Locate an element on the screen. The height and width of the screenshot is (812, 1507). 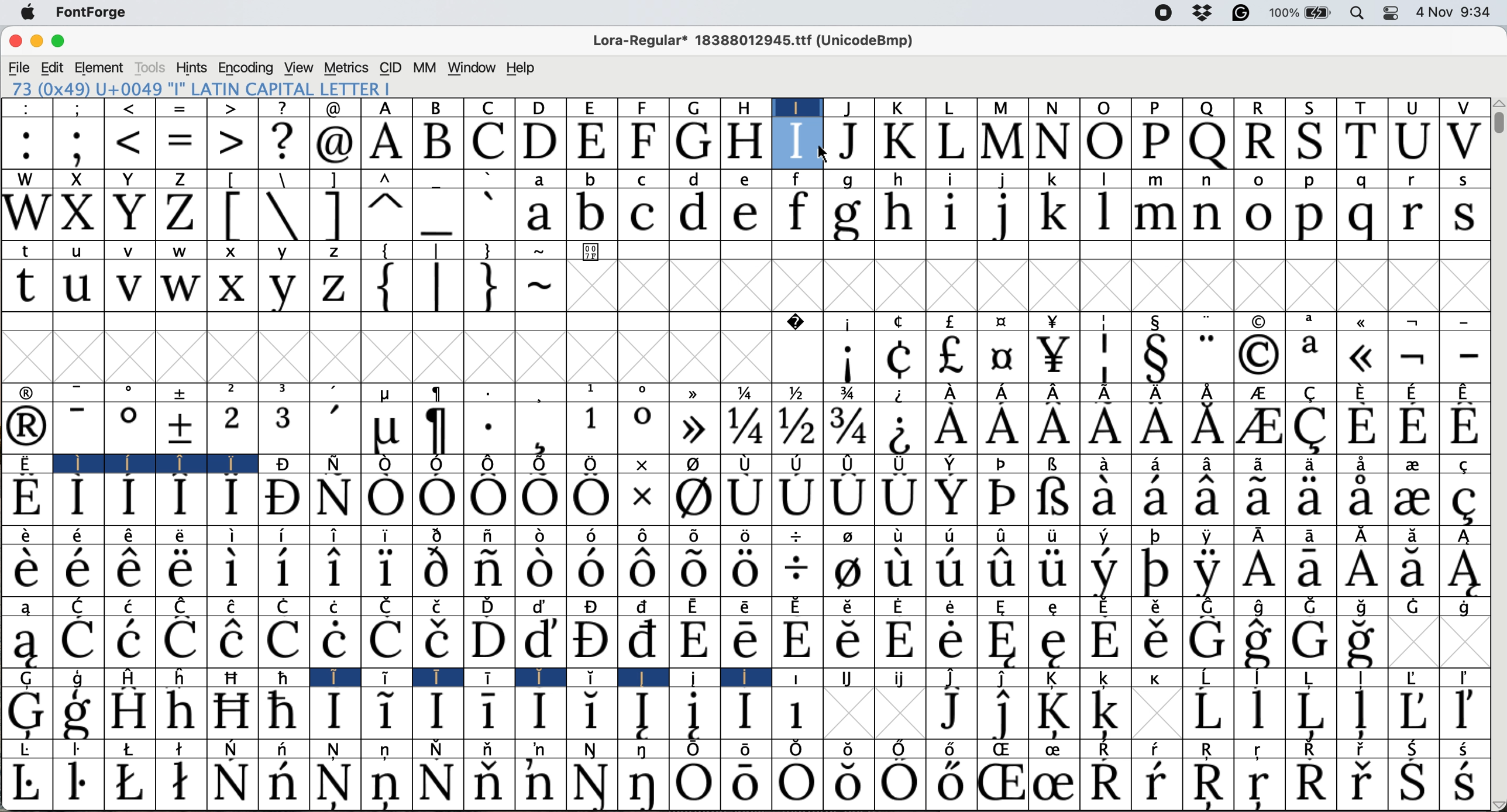
E is located at coordinates (591, 107).